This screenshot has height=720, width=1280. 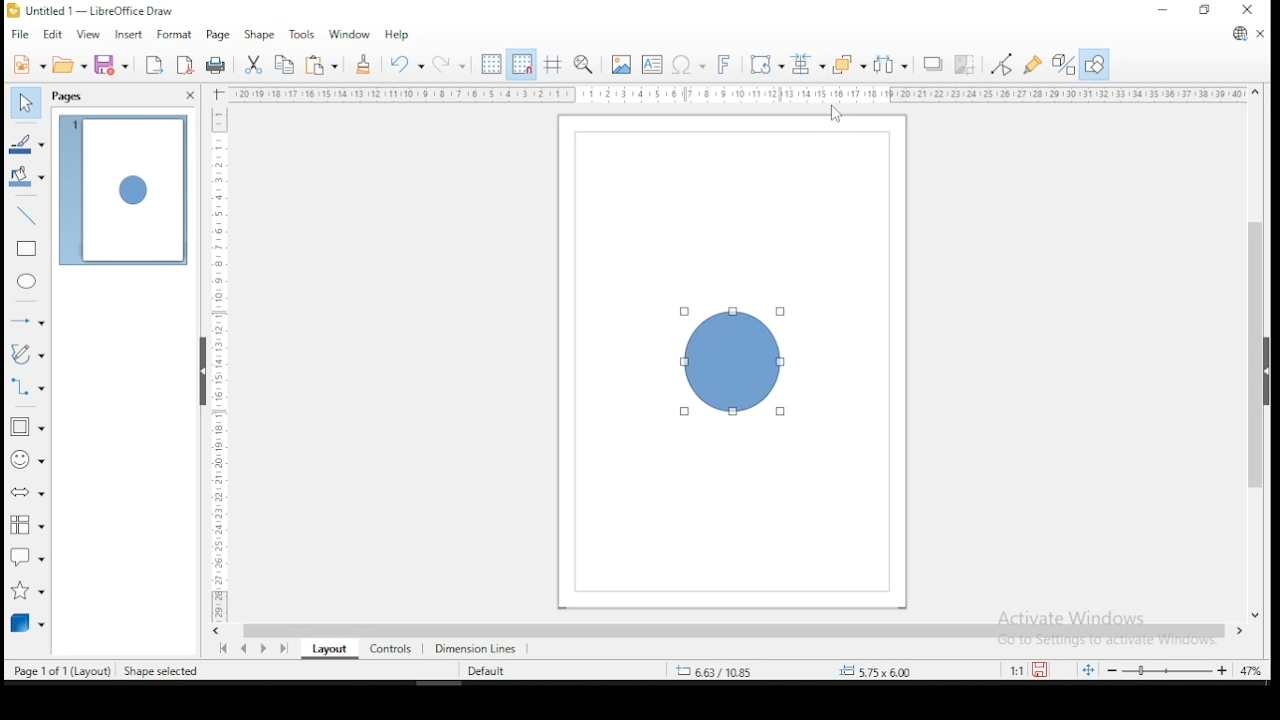 What do you see at coordinates (90, 10) in the screenshot?
I see `untitled 1 - LibreOffice Draw` at bounding box center [90, 10].